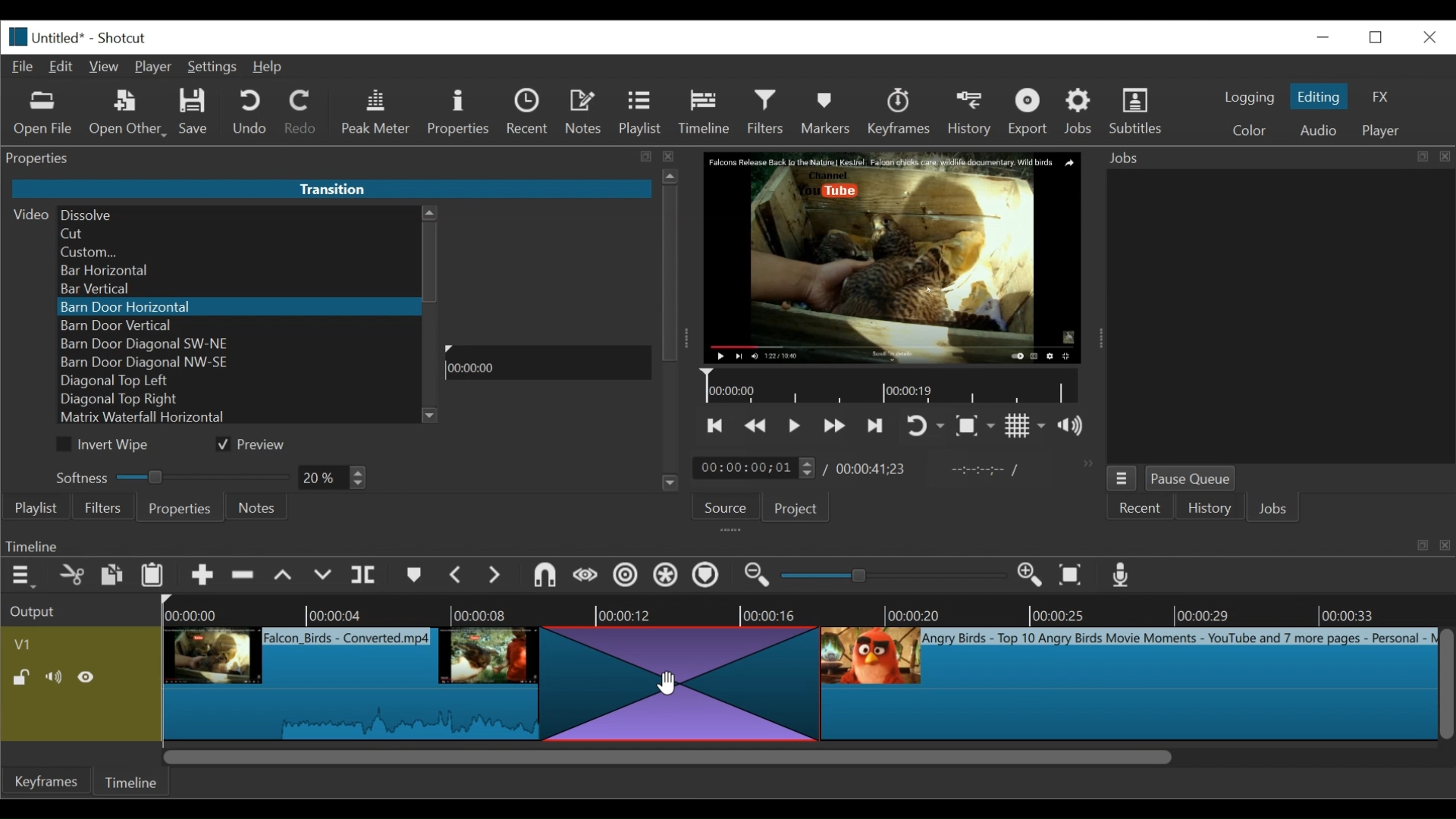  I want to click on Toggle player looping, so click(926, 426).